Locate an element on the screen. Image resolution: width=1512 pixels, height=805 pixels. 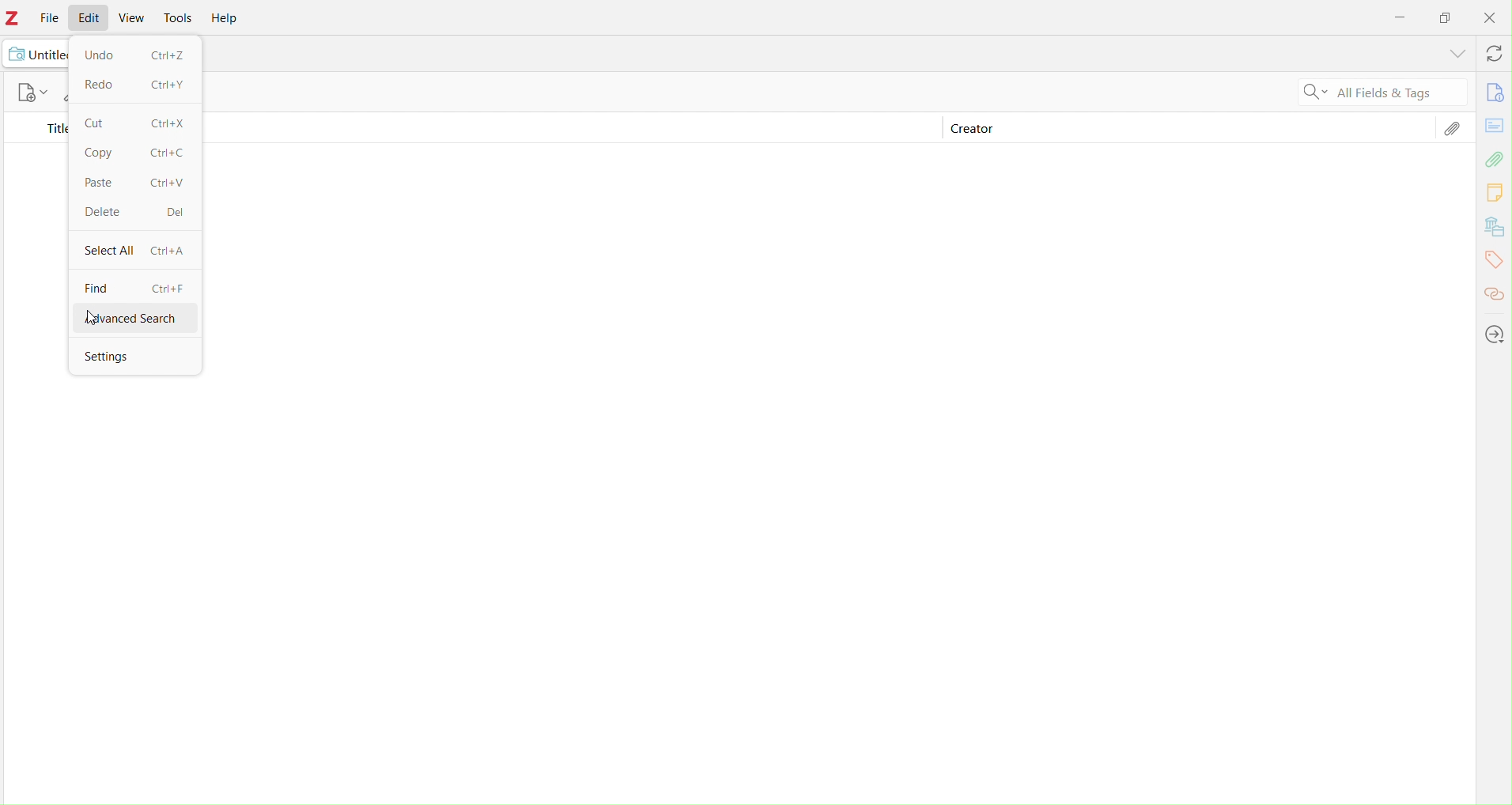
Delete is located at coordinates (131, 214).